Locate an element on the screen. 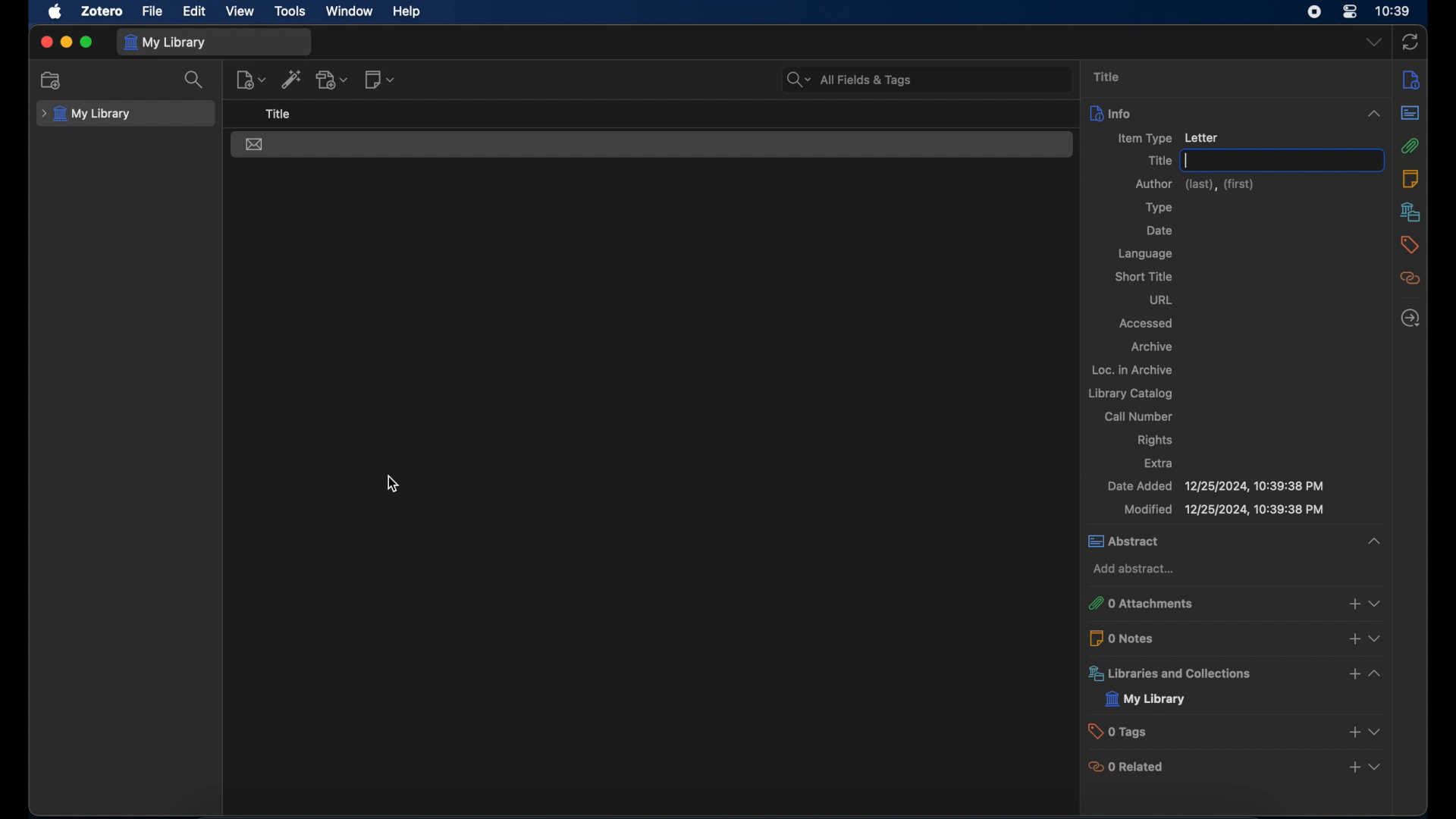  language is located at coordinates (1150, 253).